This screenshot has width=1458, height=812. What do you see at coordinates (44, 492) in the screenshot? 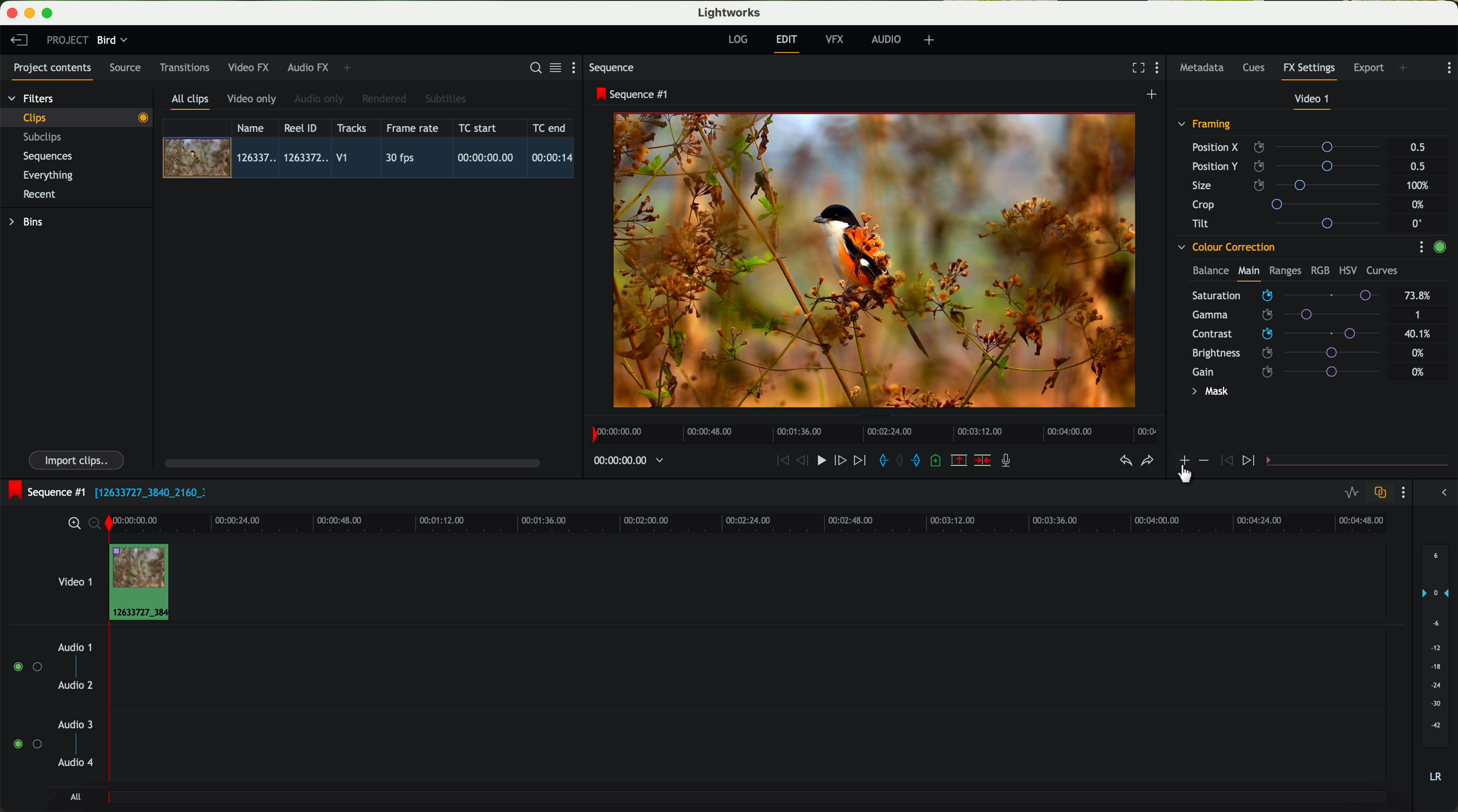
I see `sequence #1` at bounding box center [44, 492].